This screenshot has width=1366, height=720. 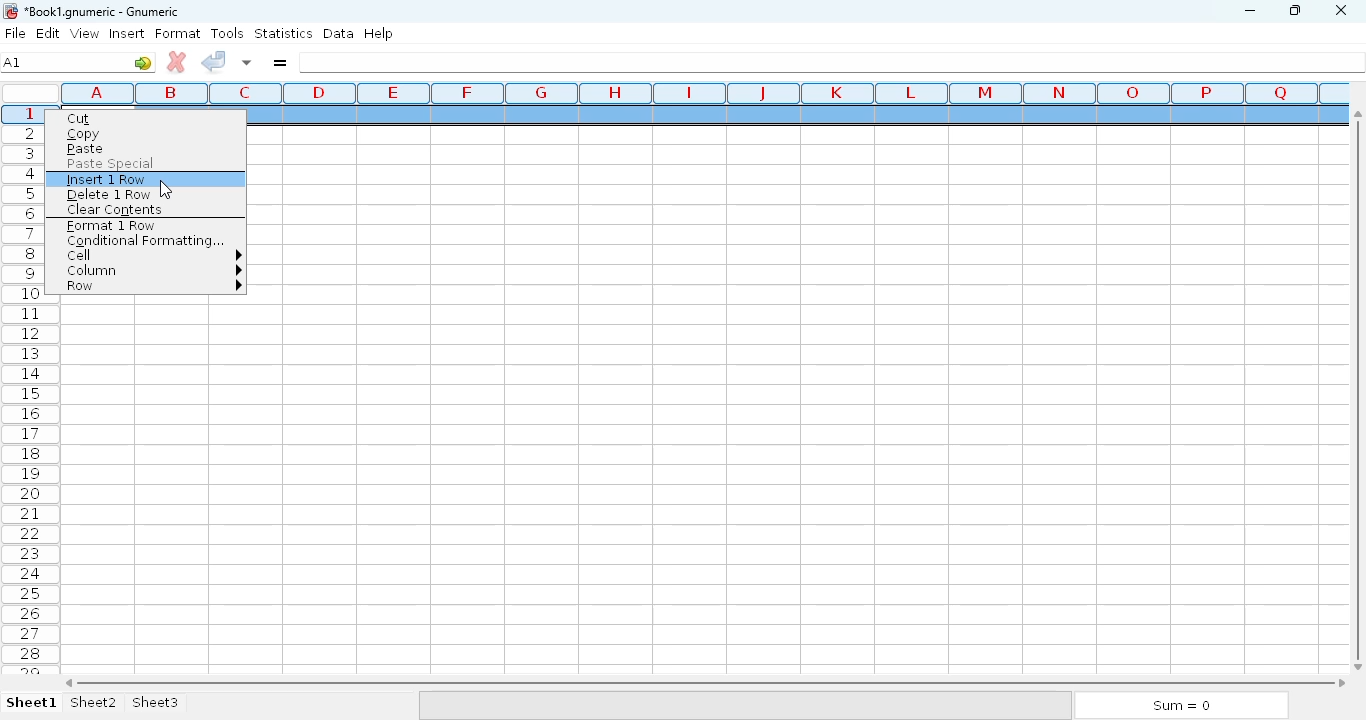 I want to click on title, so click(x=103, y=12).